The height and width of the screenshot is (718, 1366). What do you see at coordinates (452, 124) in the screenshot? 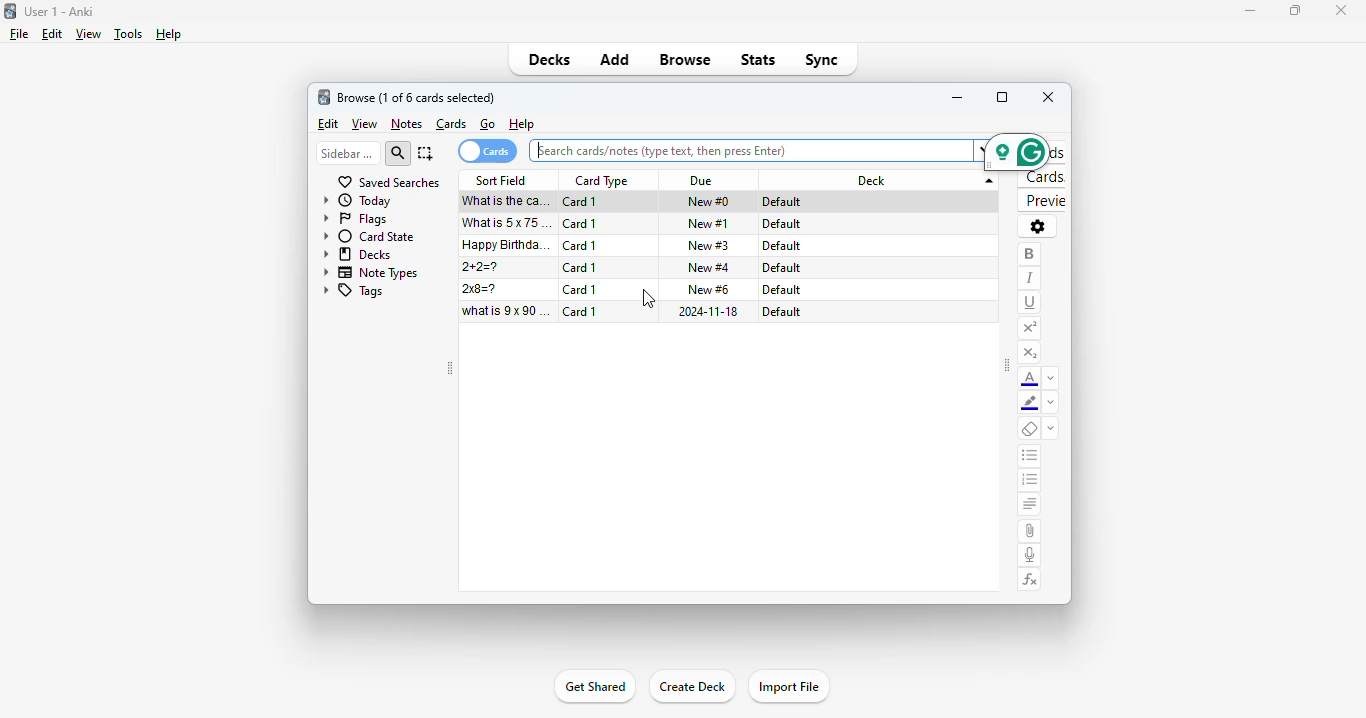
I see `cards` at bounding box center [452, 124].